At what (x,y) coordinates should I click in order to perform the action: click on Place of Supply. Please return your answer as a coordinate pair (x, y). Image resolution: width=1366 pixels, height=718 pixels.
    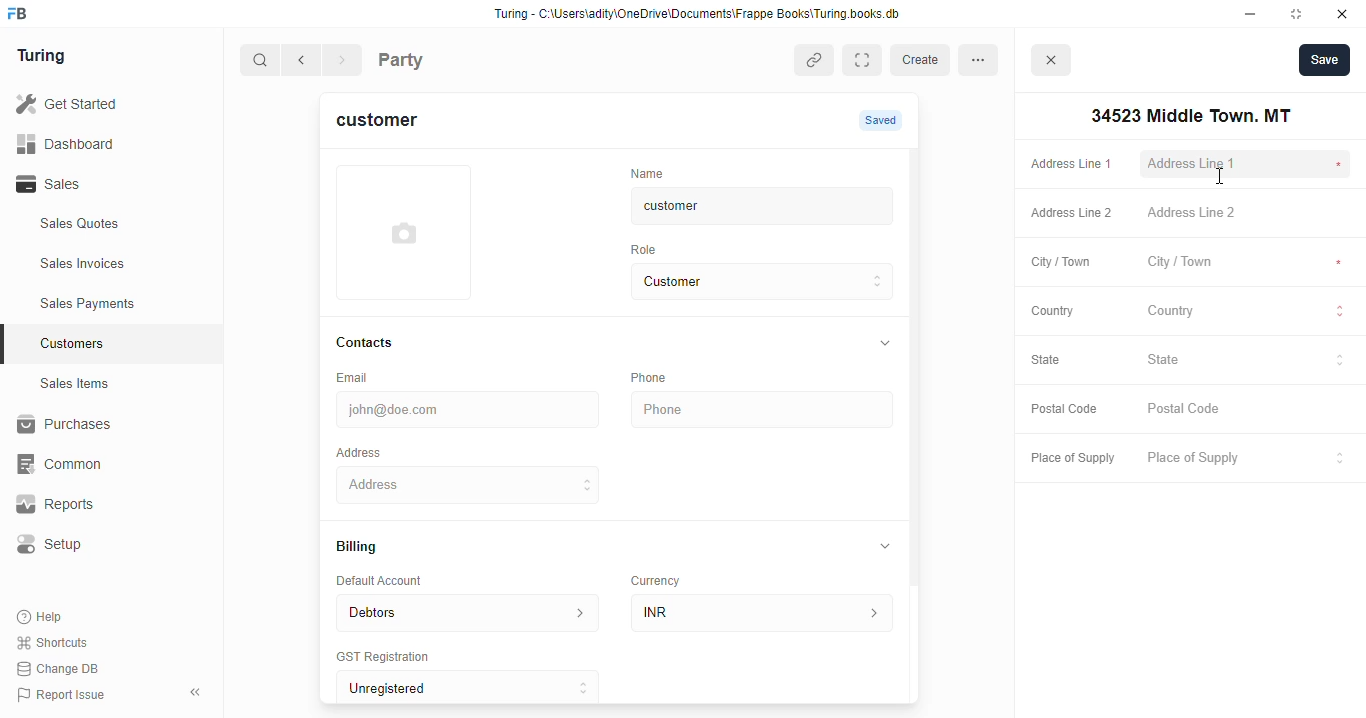
    Looking at the image, I should click on (1243, 459).